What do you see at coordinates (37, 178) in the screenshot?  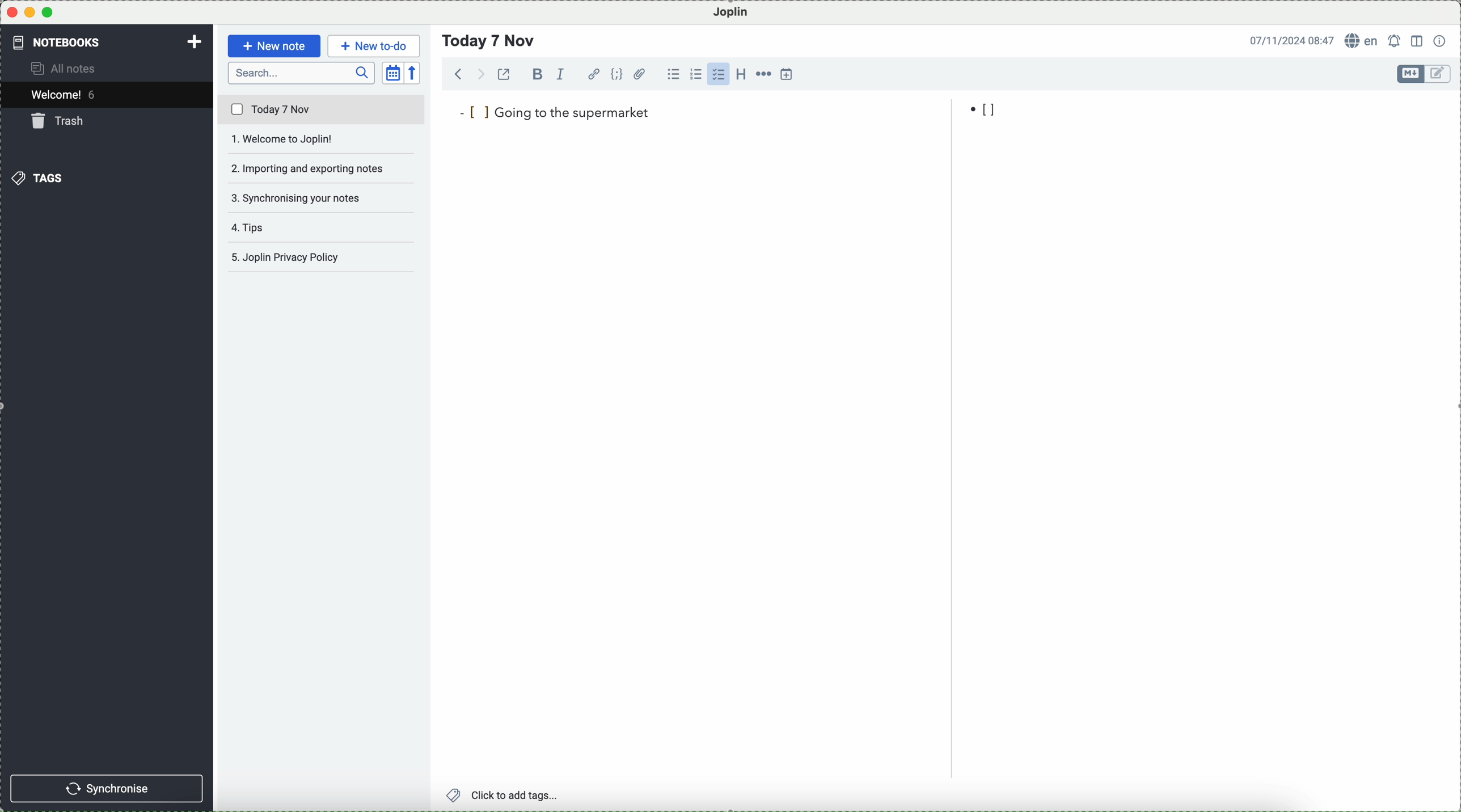 I see `tags` at bounding box center [37, 178].